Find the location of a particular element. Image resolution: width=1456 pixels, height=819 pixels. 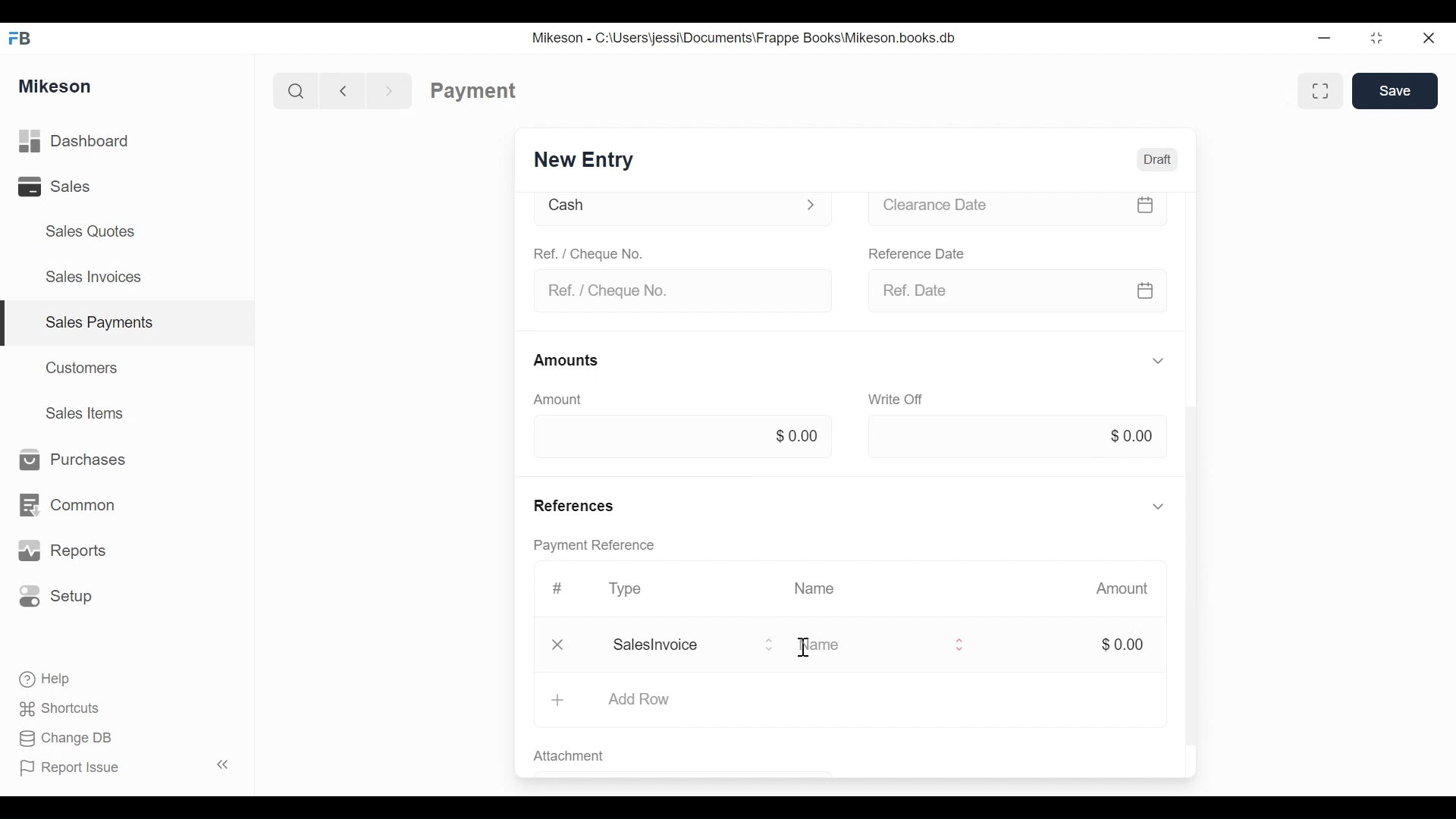

Attachment is located at coordinates (569, 755).